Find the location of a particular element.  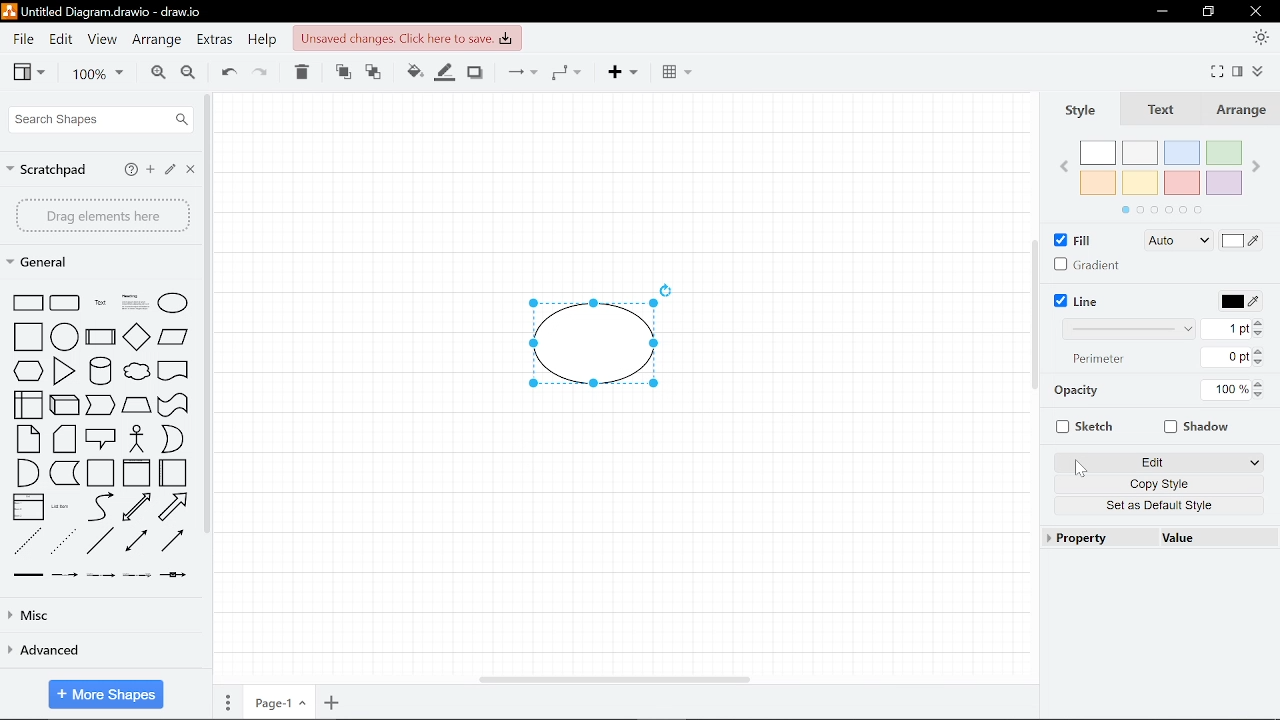

Help is located at coordinates (263, 41).